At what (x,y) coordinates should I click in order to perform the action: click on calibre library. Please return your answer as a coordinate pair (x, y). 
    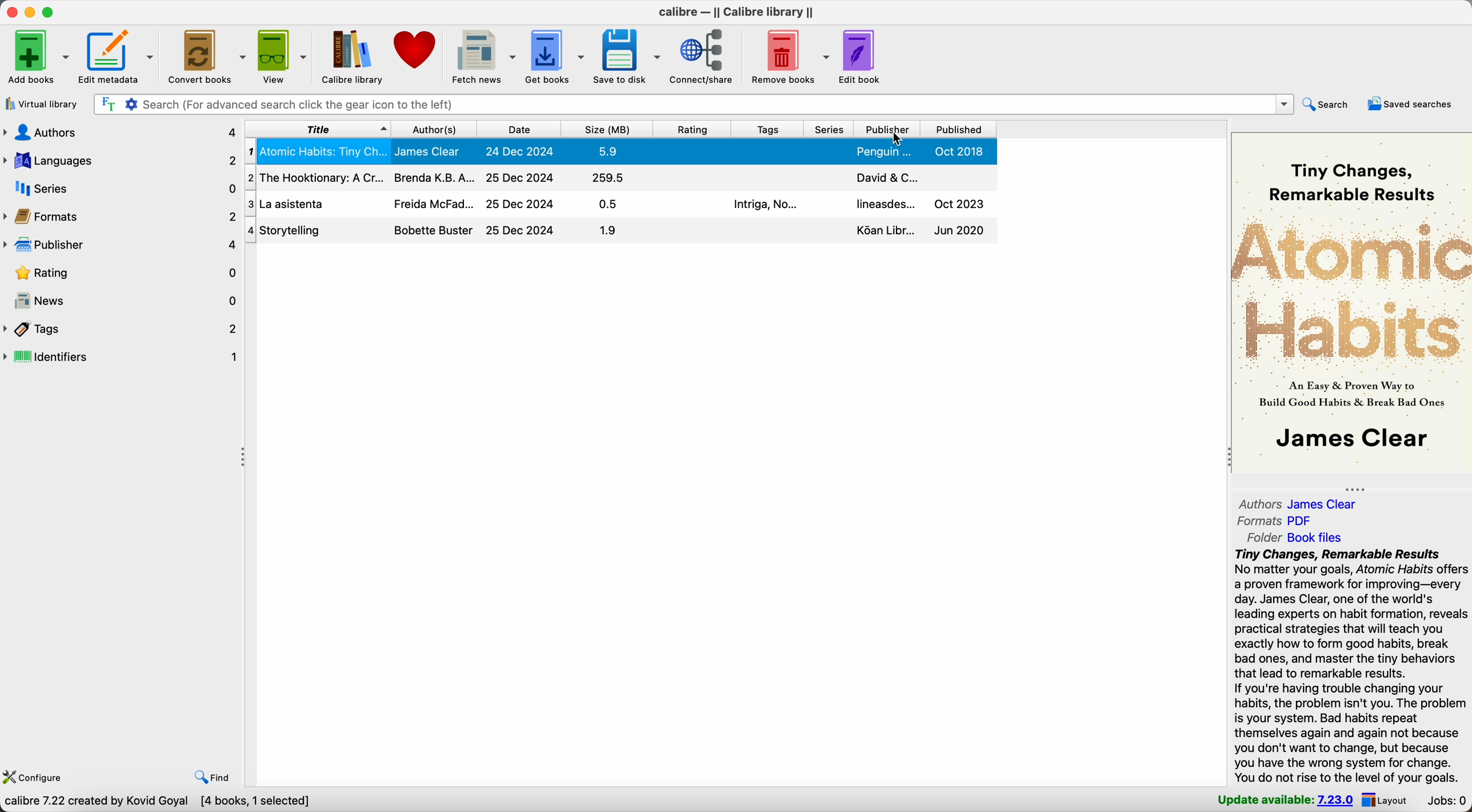
    Looking at the image, I should click on (353, 59).